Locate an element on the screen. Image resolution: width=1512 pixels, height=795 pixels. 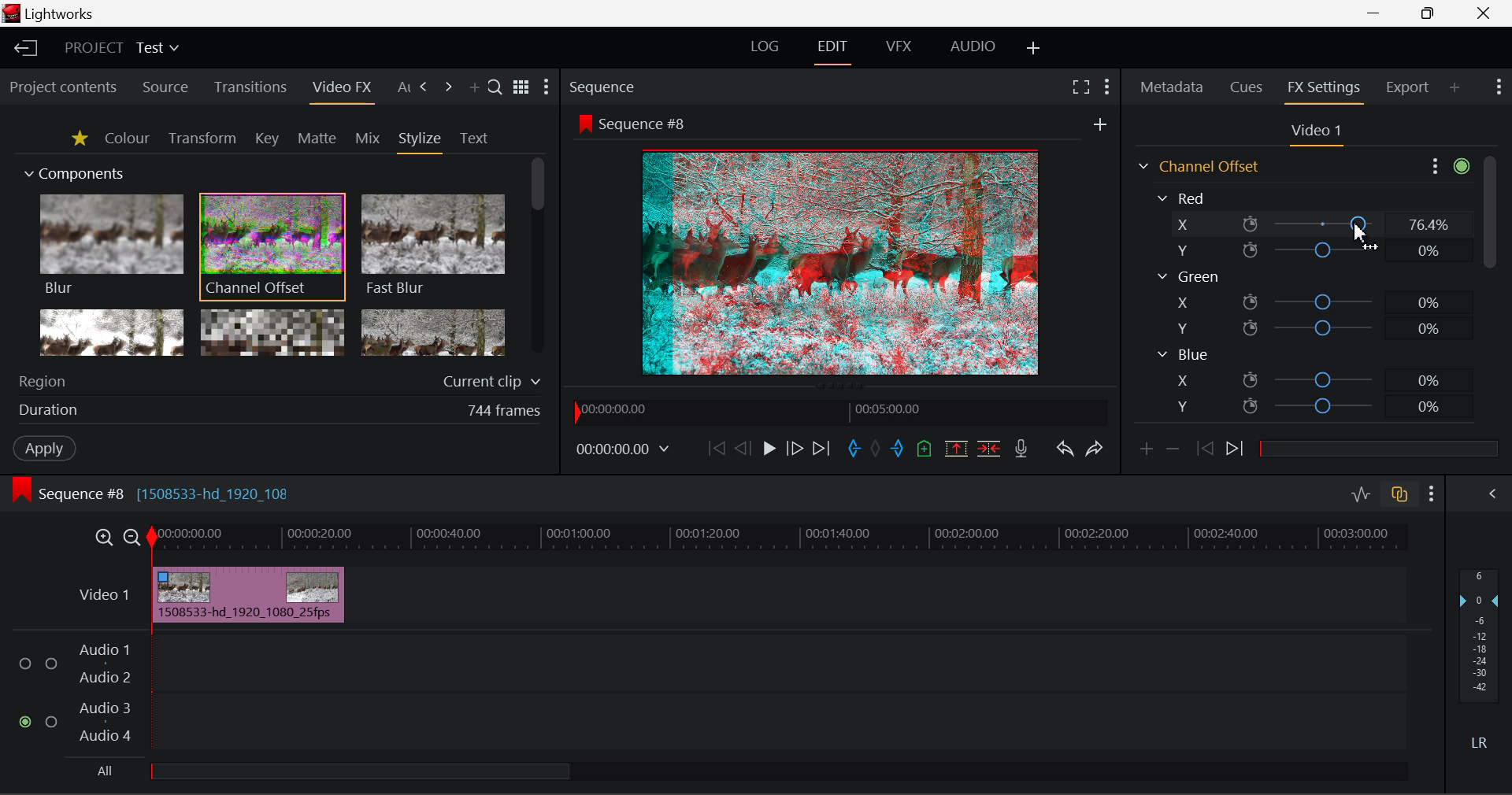
Show Settings is located at coordinates (1447, 167).